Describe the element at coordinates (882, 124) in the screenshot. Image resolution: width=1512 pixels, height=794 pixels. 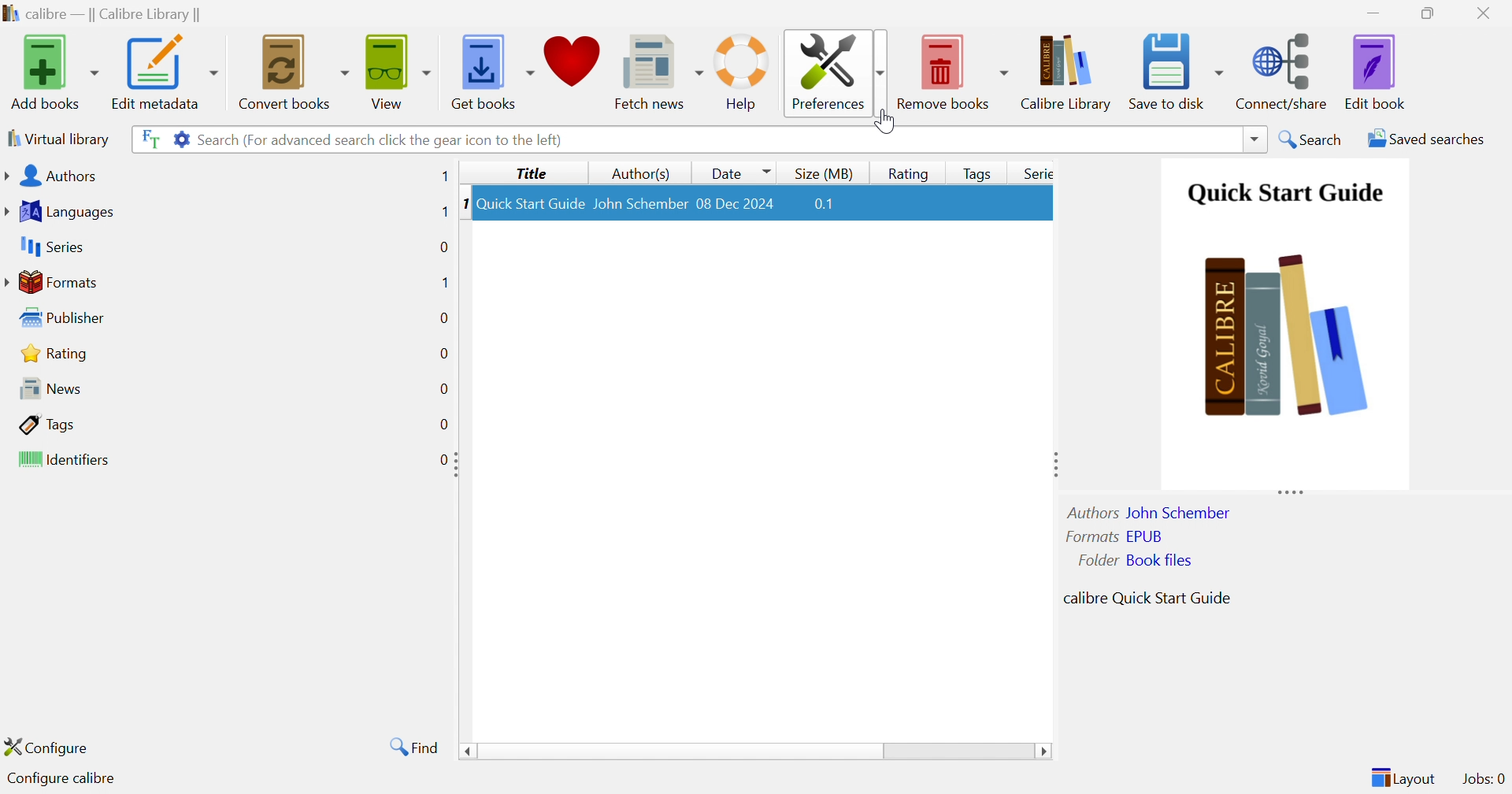
I see `Drop Down` at that location.